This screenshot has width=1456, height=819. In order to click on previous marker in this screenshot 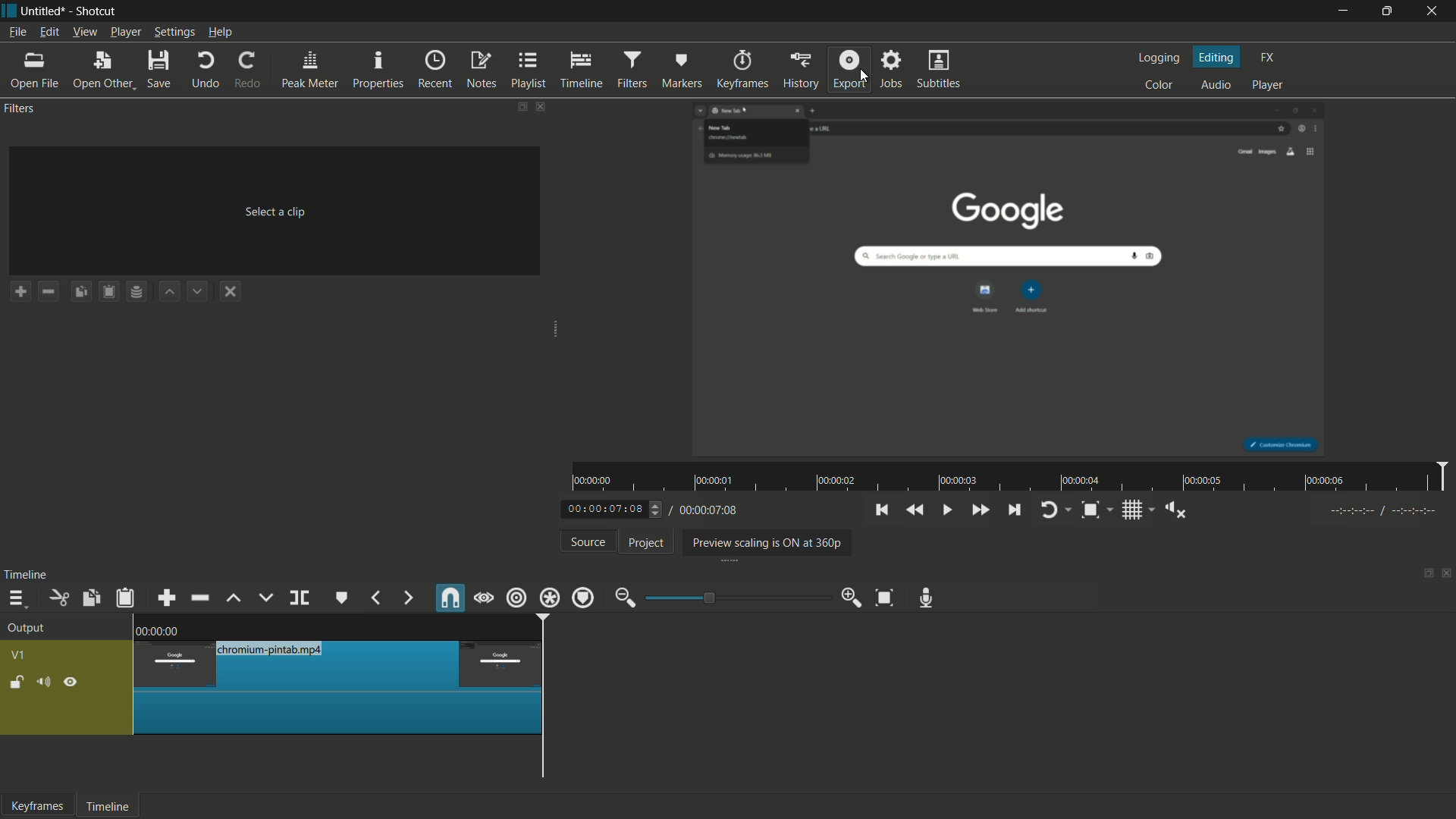, I will do `click(375, 598)`.